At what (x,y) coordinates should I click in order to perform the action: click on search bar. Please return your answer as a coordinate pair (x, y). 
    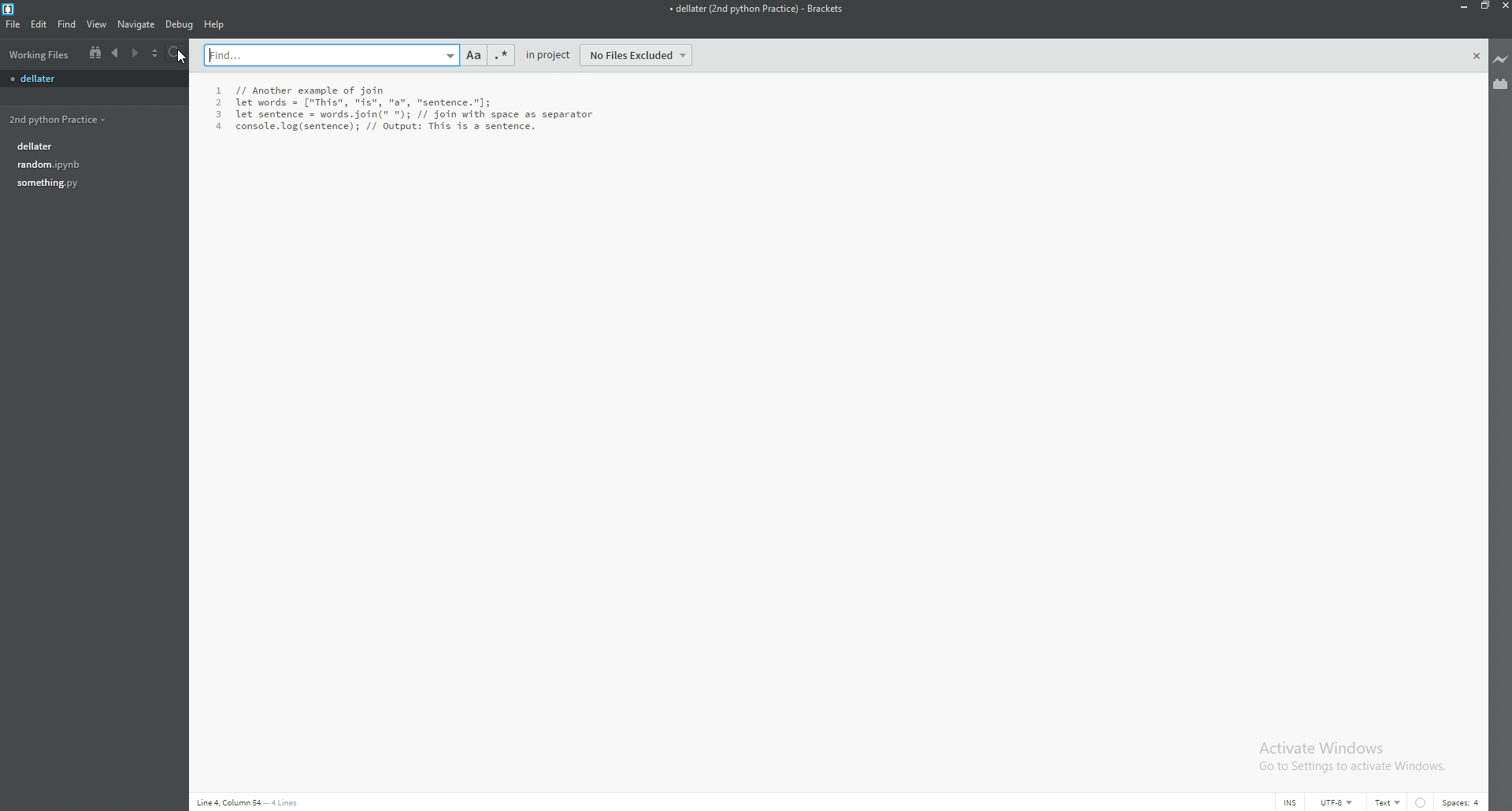
    Looking at the image, I should click on (332, 54).